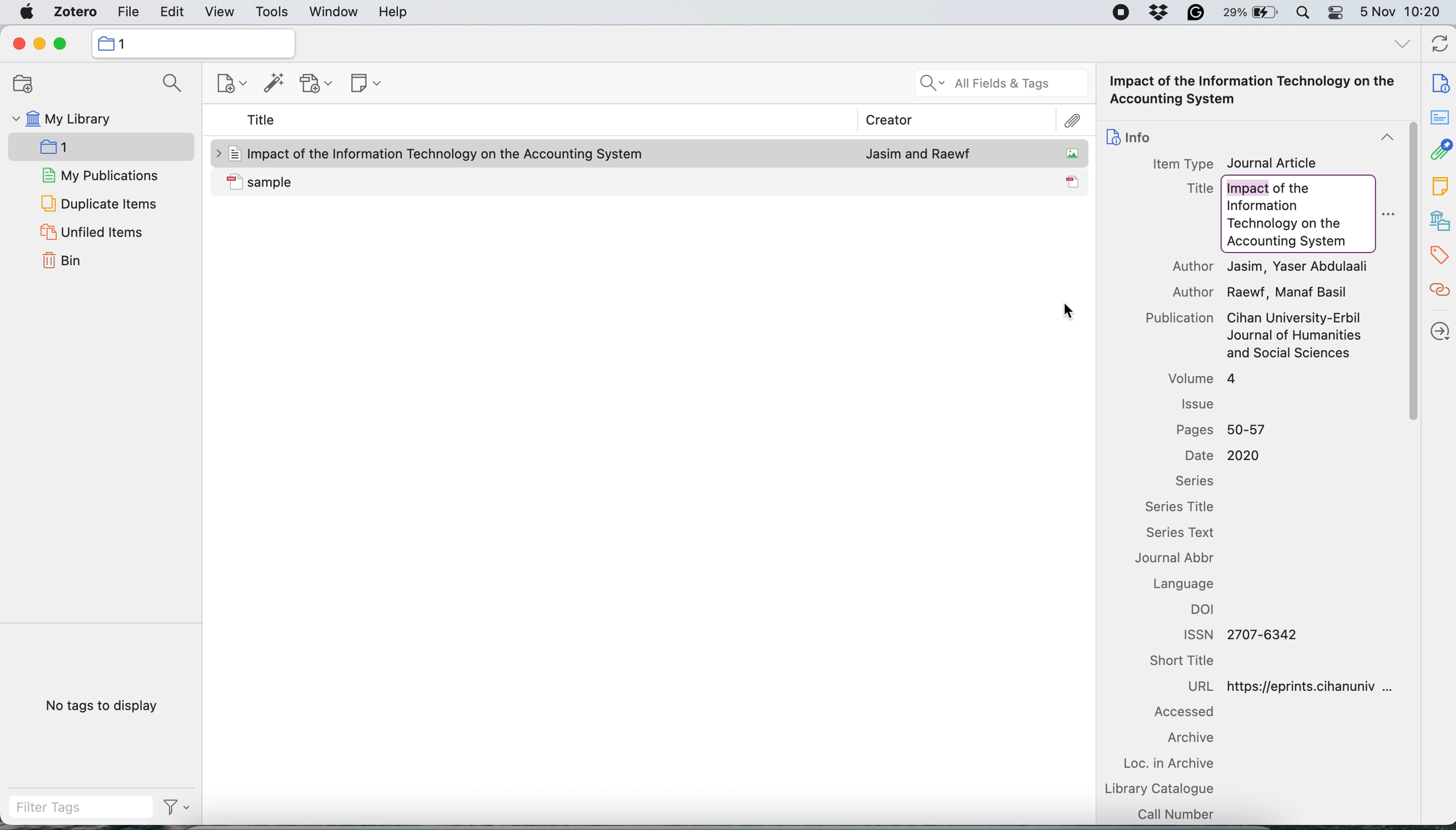 This screenshot has height=830, width=1456. Describe the element at coordinates (1141, 137) in the screenshot. I see `info` at that location.